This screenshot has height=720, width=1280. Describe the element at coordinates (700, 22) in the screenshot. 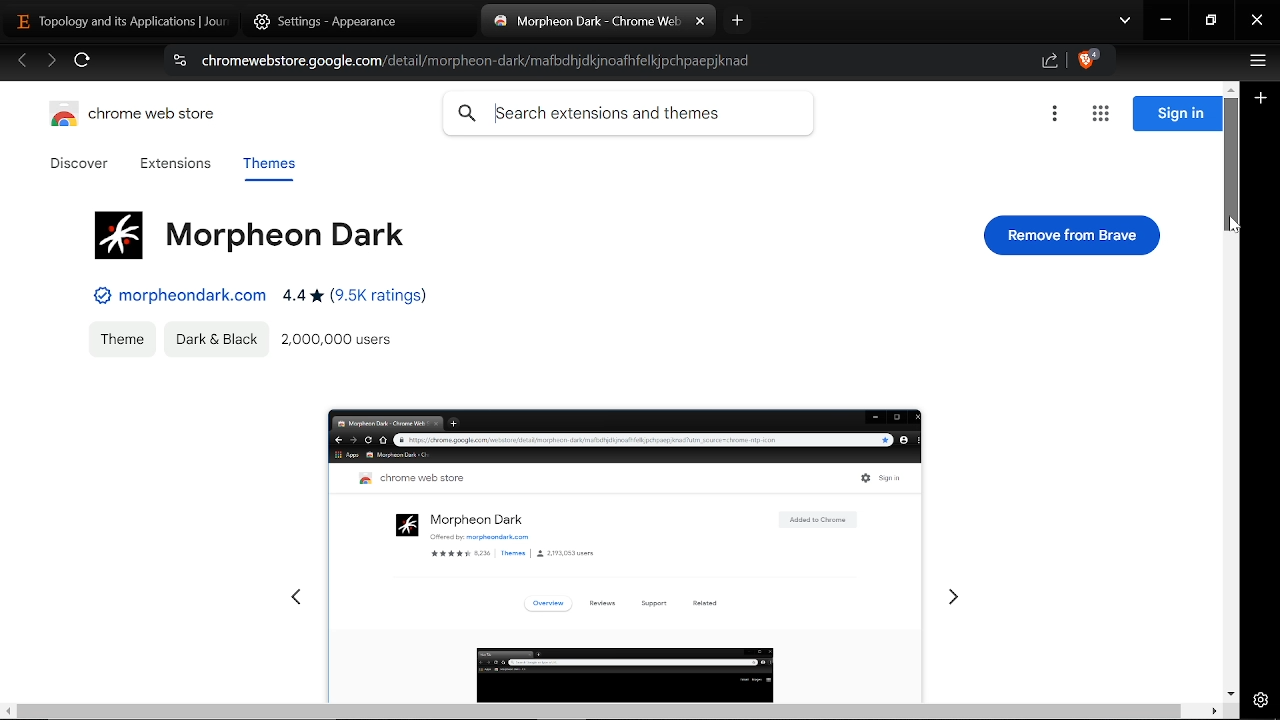

I see `Close current tab` at that location.